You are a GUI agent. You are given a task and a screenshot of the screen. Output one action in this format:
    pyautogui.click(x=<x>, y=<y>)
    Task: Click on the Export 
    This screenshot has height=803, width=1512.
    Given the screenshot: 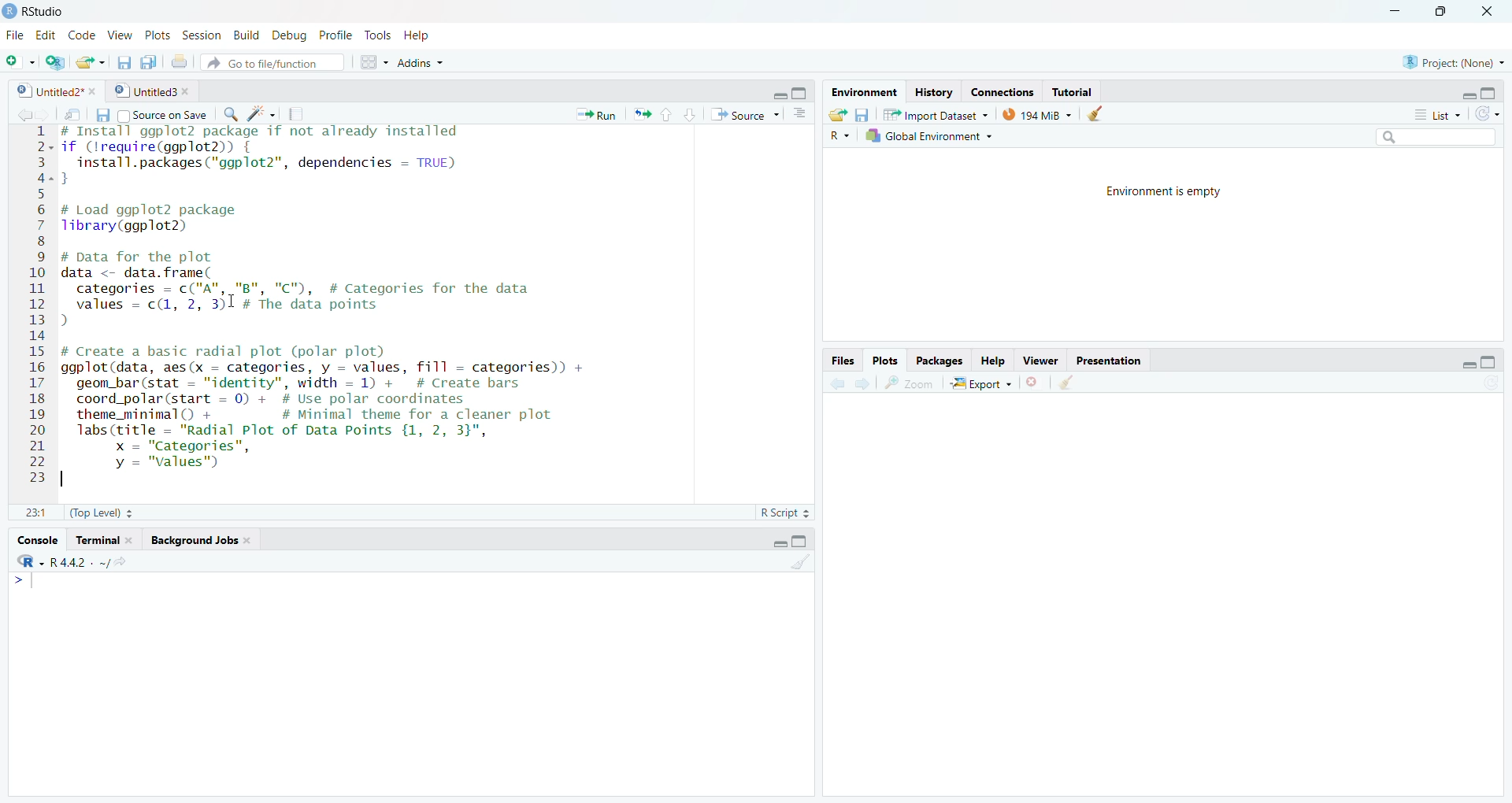 What is the action you would take?
    pyautogui.click(x=981, y=383)
    